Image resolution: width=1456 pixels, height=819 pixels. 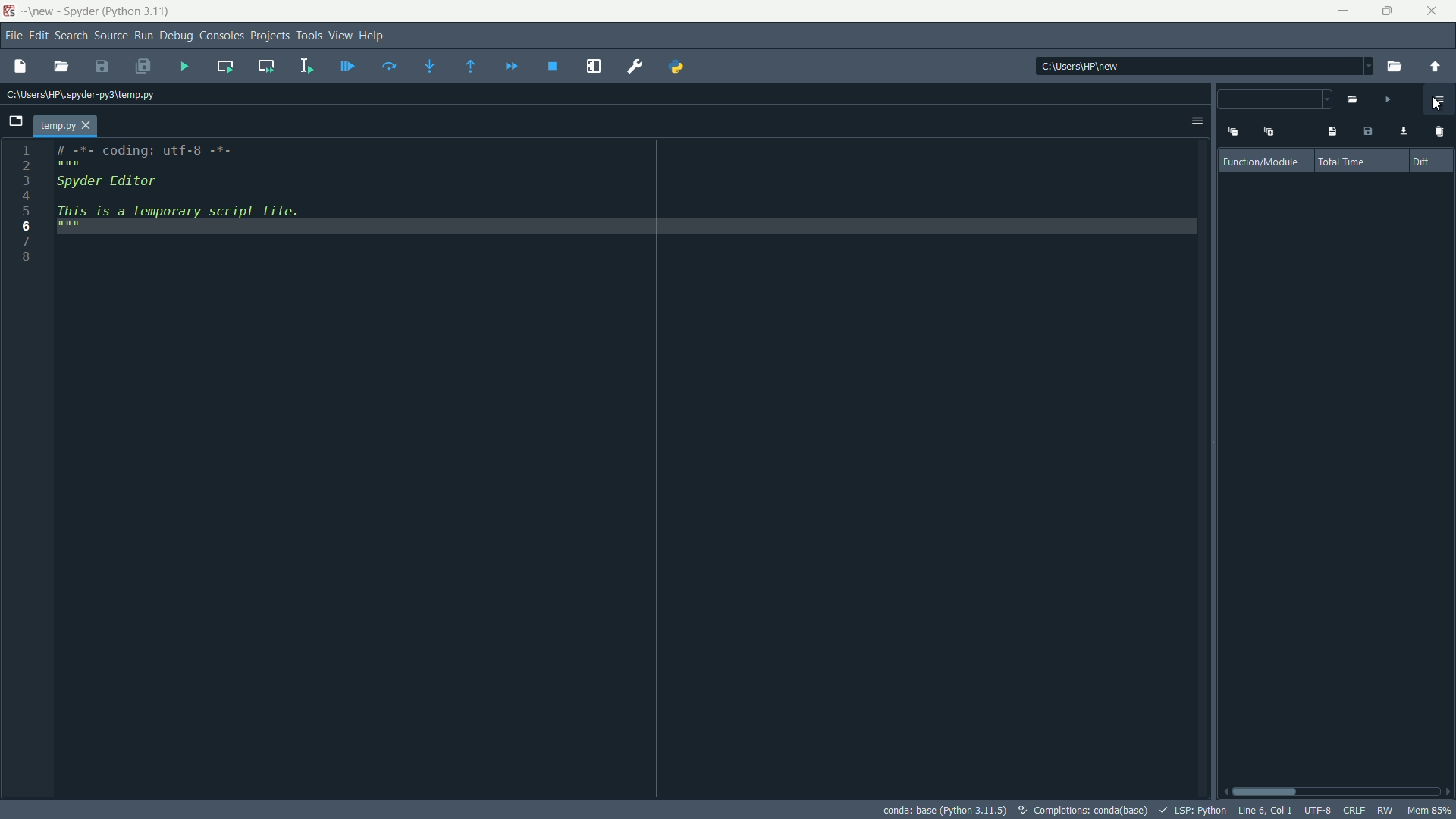 I want to click on run current cell, so click(x=225, y=67).